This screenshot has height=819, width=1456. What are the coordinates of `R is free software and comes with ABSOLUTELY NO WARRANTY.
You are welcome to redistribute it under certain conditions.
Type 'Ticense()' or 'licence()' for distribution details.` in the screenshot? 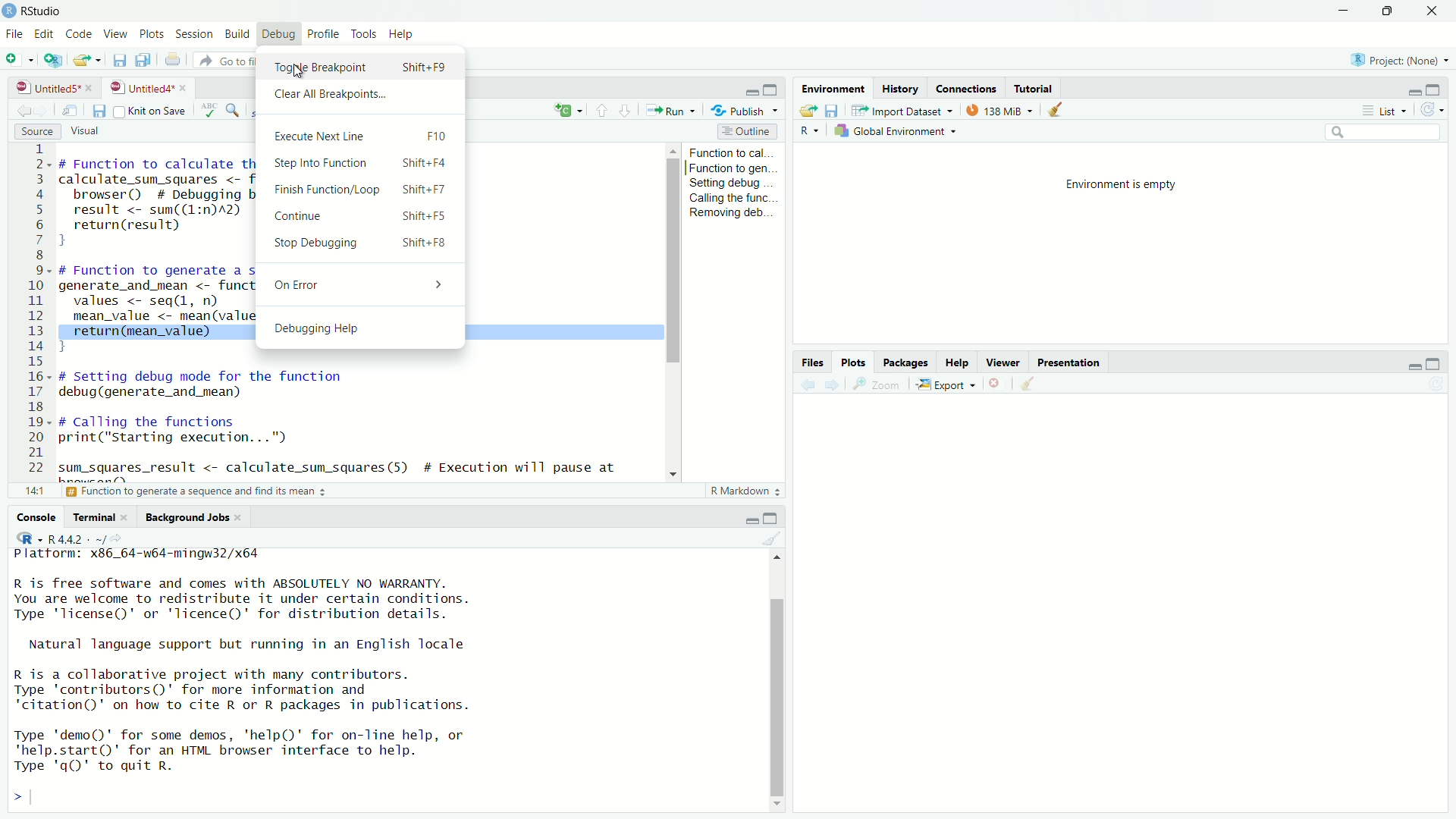 It's located at (256, 599).